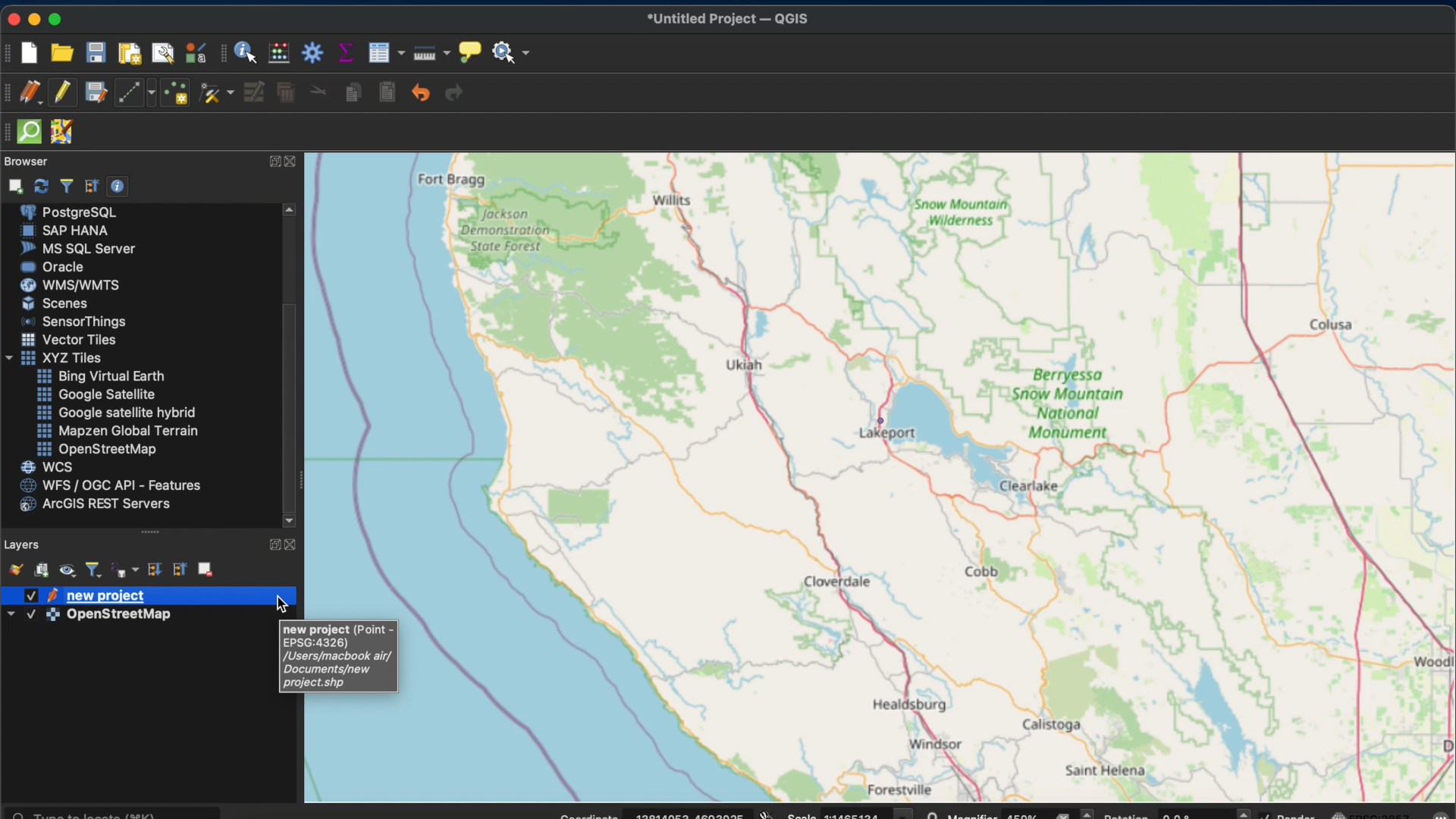  What do you see at coordinates (96, 94) in the screenshot?
I see `save edits` at bounding box center [96, 94].